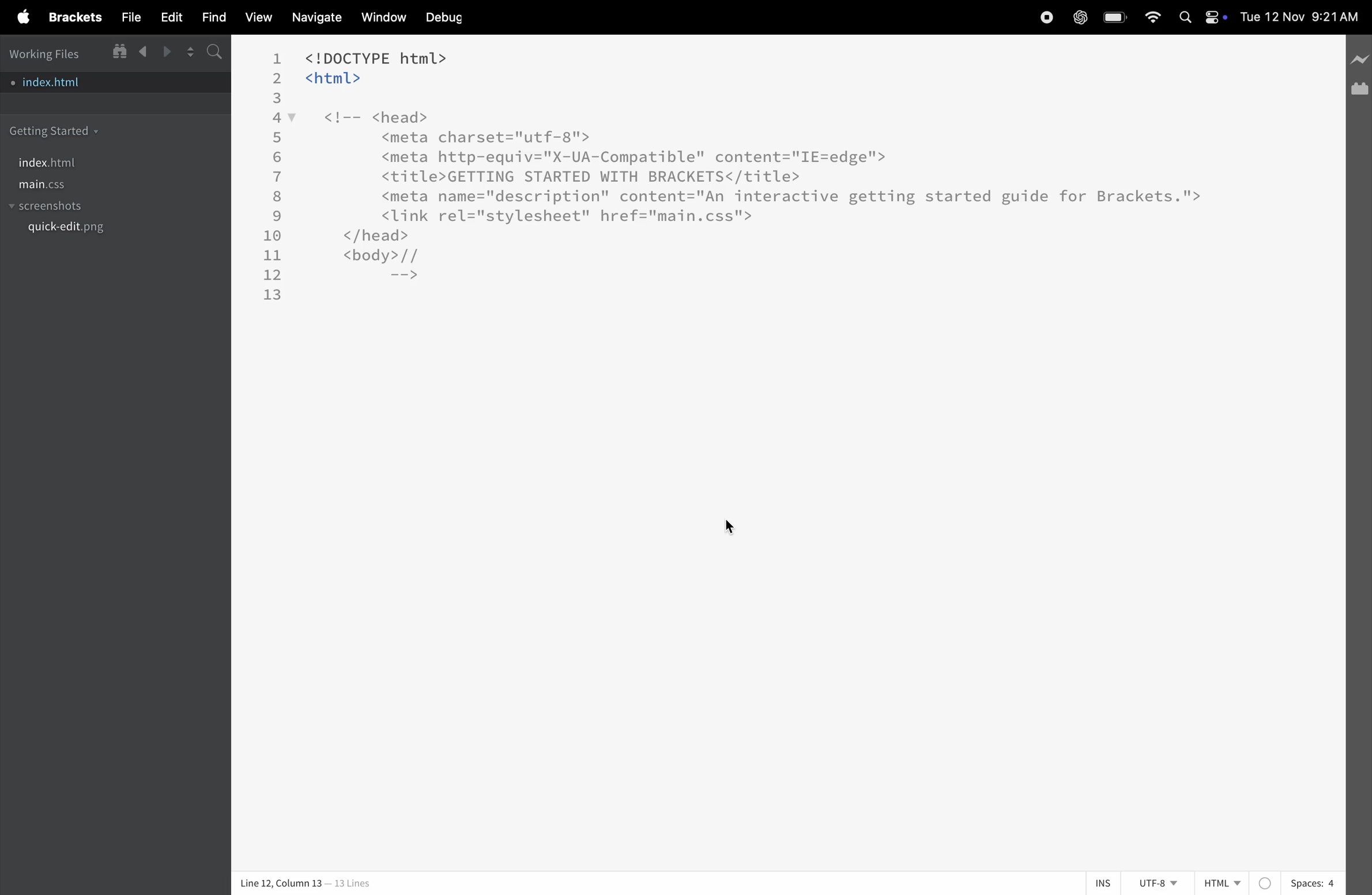  I want to click on brackets, so click(74, 16).